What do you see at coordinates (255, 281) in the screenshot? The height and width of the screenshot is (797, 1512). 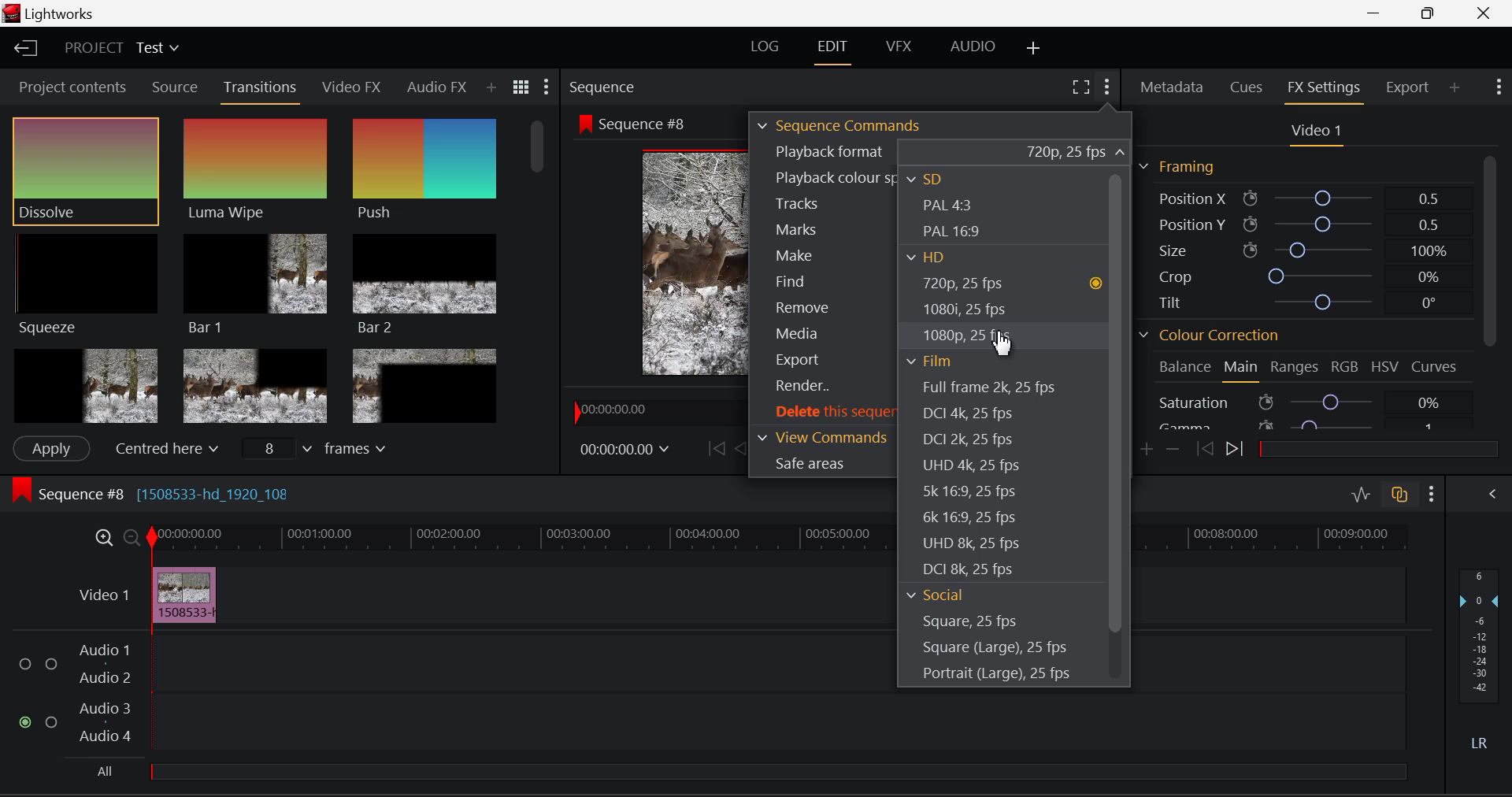 I see `Bar 1` at bounding box center [255, 281].